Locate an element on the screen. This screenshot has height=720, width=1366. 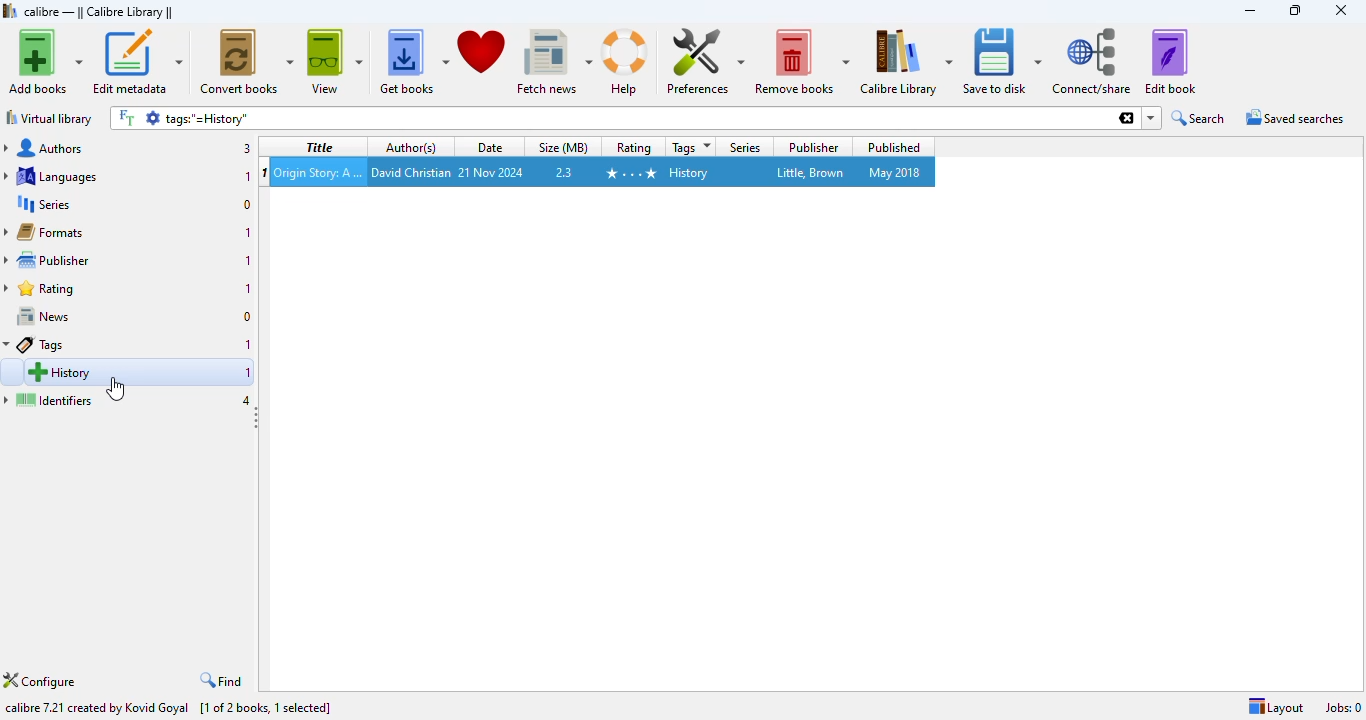
save to disk is located at coordinates (1003, 61).